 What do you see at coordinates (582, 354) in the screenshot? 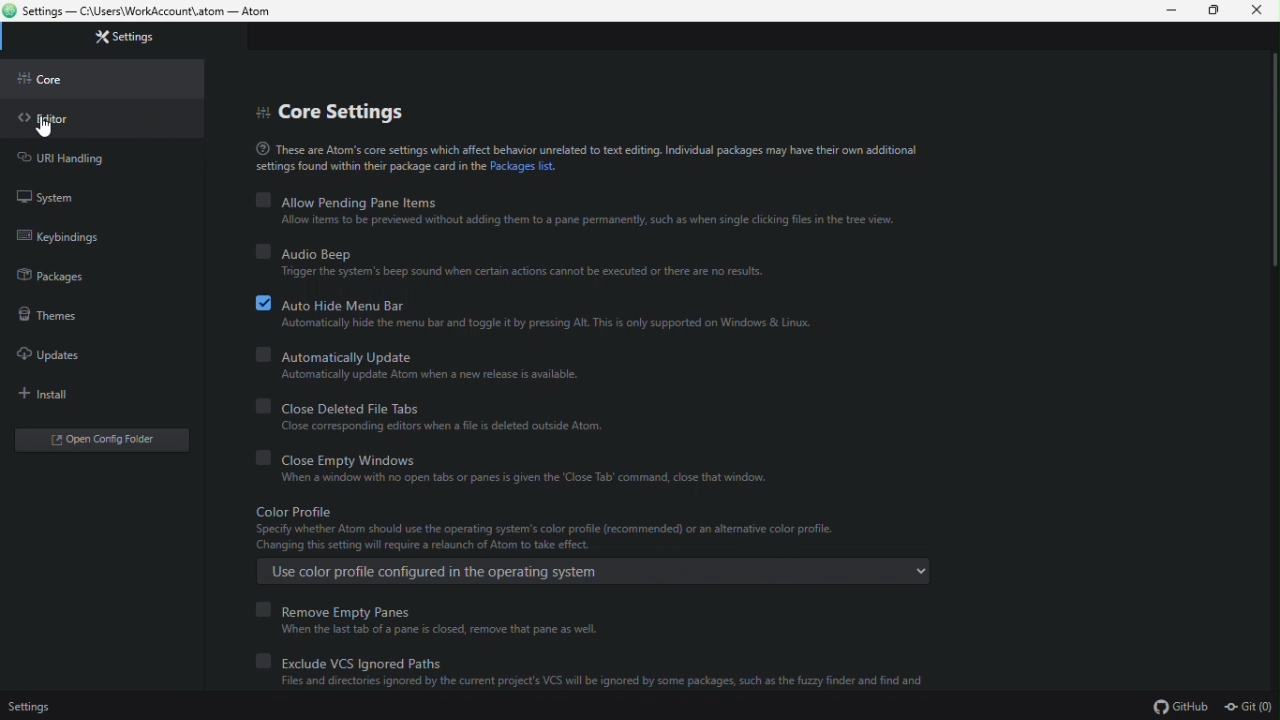
I see `automatically update` at bounding box center [582, 354].